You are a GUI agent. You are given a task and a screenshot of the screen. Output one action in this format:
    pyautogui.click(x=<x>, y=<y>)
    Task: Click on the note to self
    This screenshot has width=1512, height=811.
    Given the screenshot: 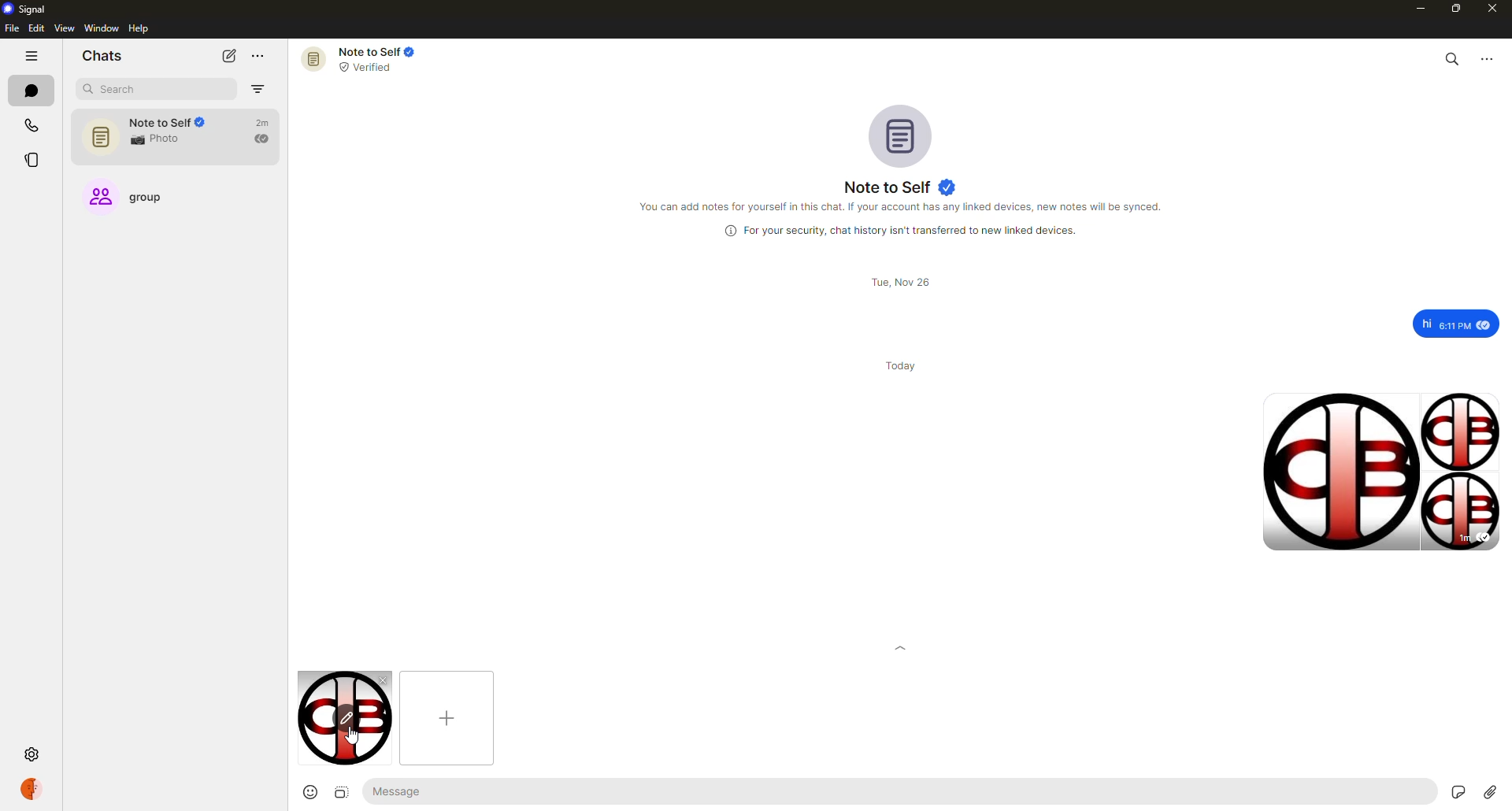 What is the action you would take?
    pyautogui.click(x=178, y=137)
    